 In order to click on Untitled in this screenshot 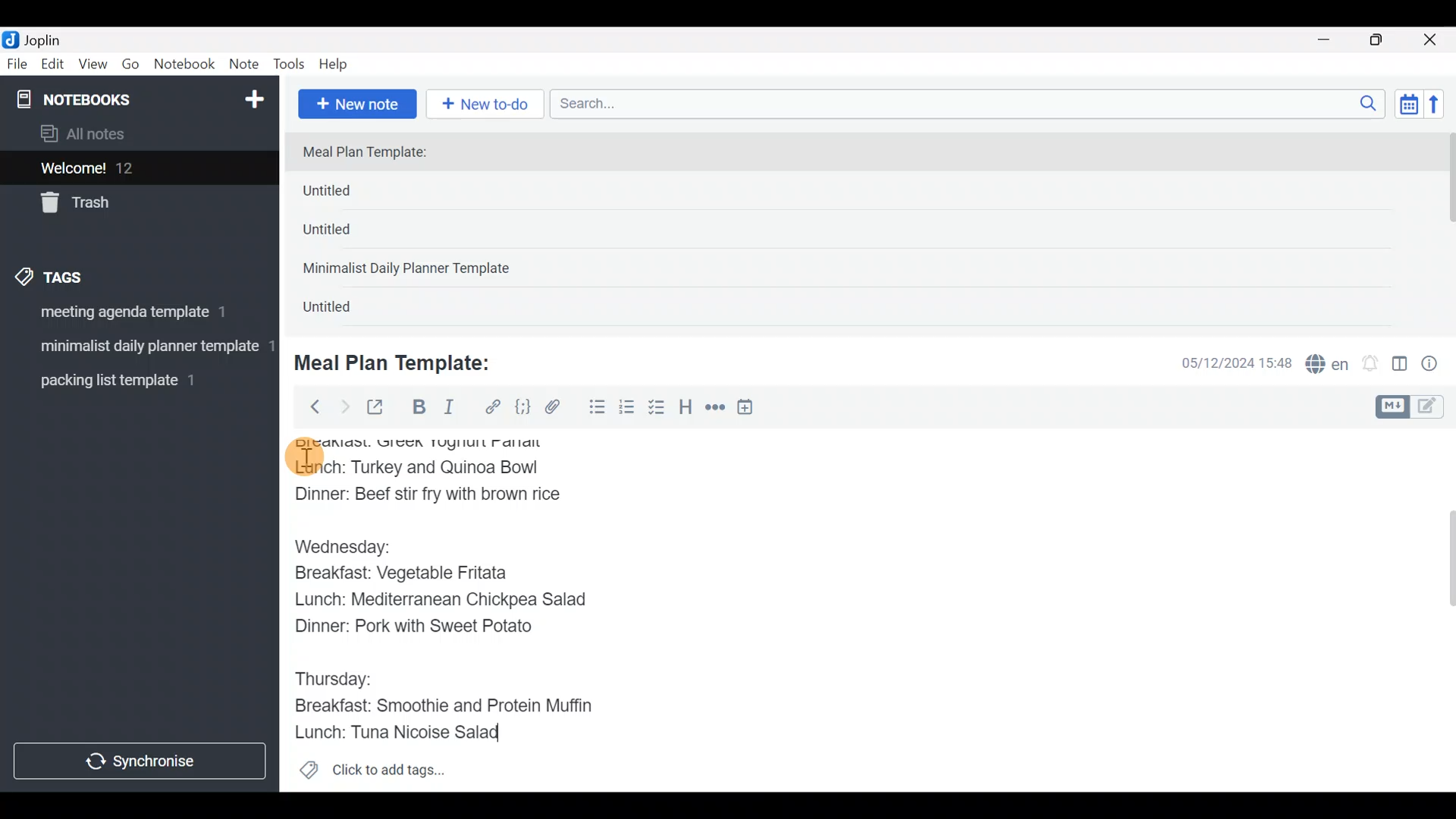, I will do `click(344, 310)`.